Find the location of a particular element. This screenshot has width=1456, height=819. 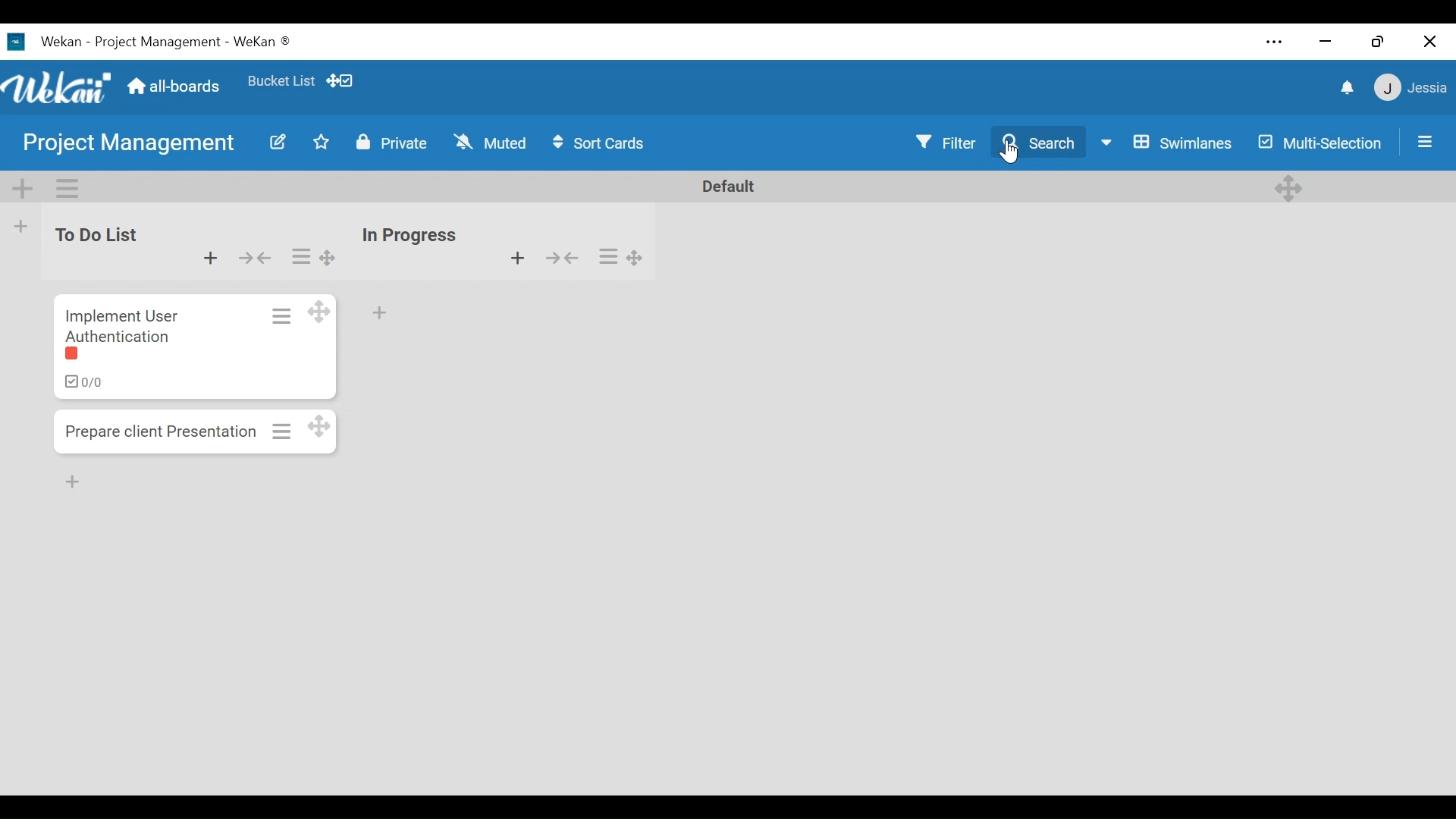

collapse is located at coordinates (255, 256).